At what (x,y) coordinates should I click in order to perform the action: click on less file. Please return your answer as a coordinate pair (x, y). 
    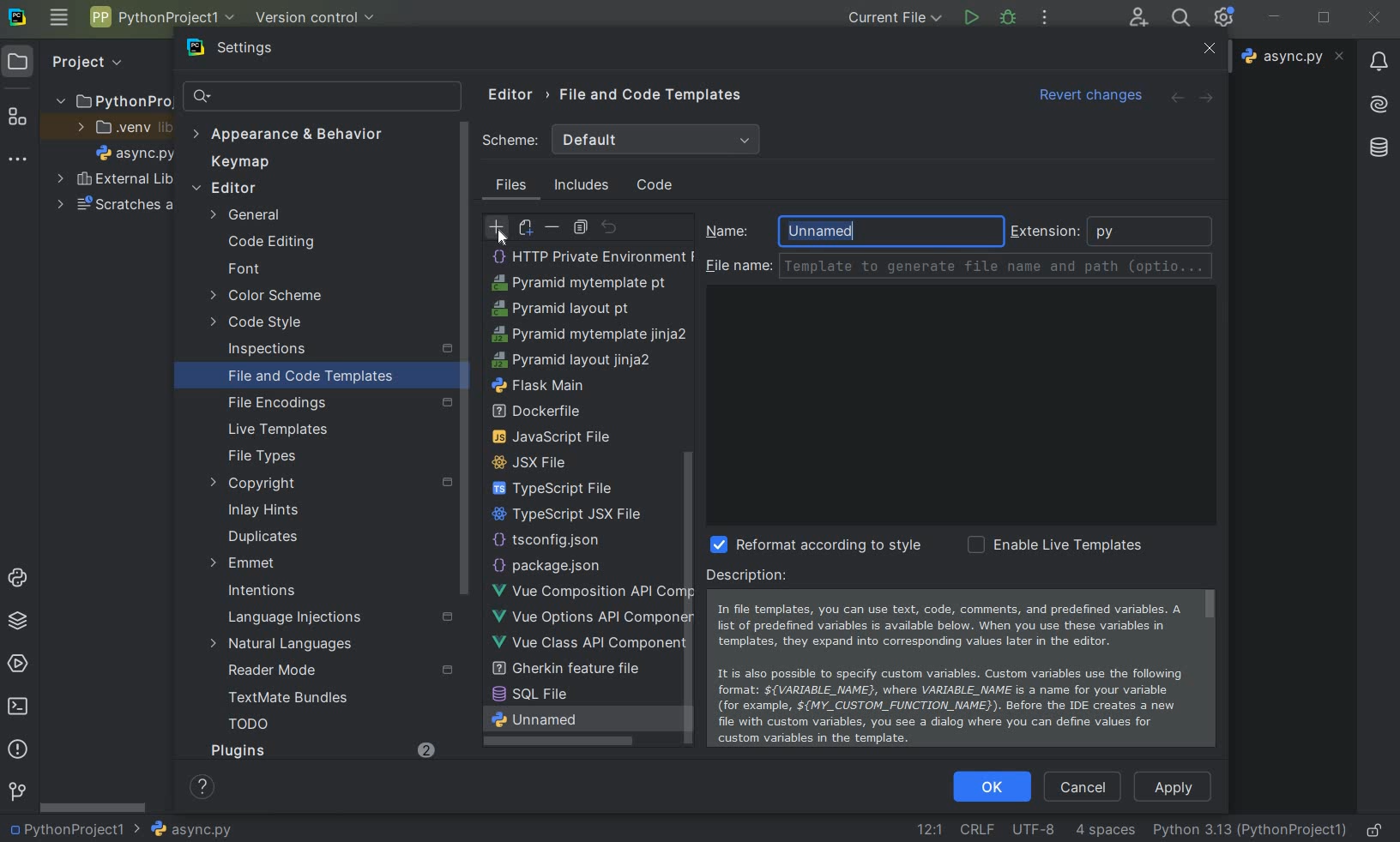
    Looking at the image, I should click on (567, 308).